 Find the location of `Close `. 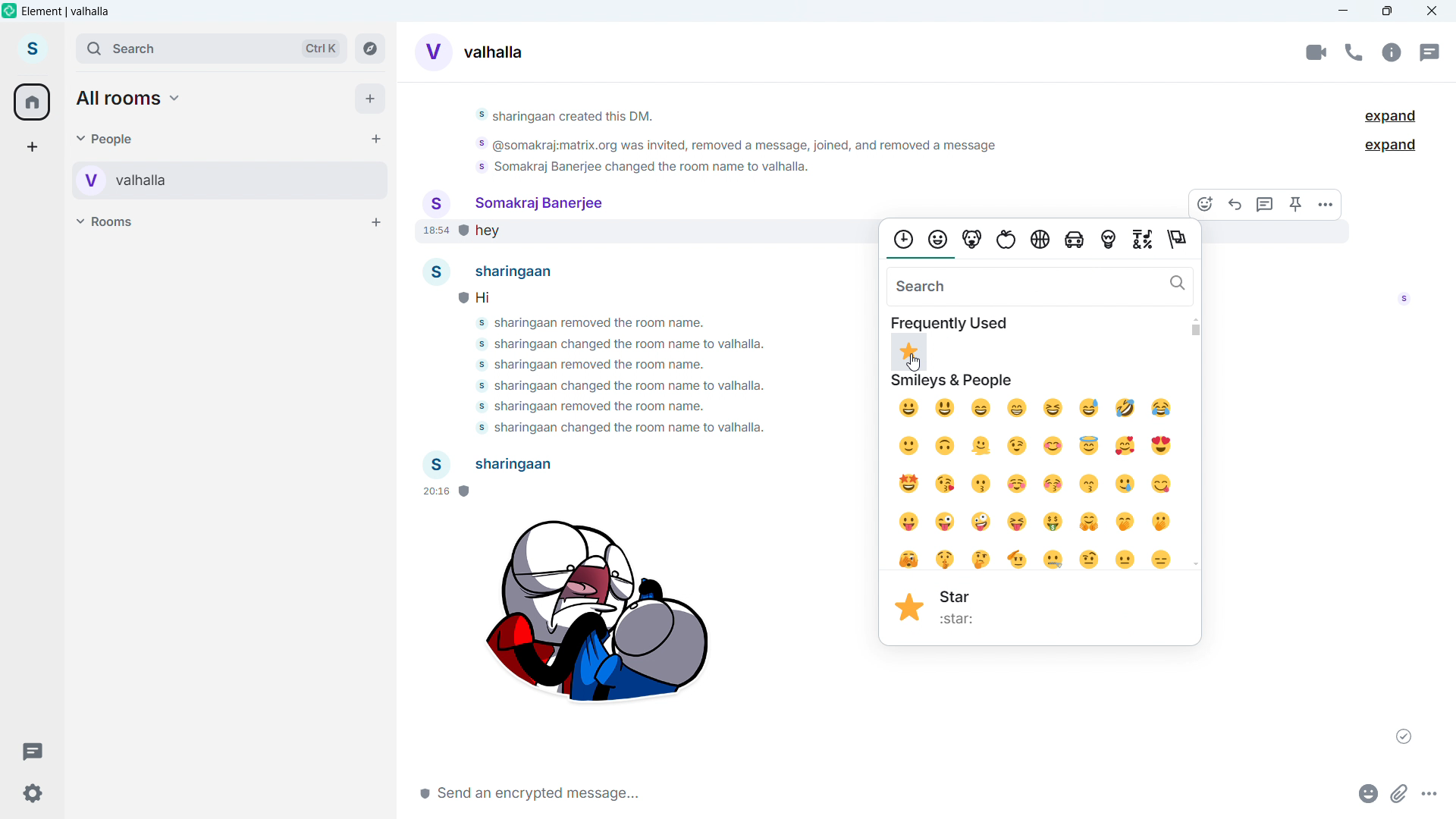

Close  is located at coordinates (1432, 11).